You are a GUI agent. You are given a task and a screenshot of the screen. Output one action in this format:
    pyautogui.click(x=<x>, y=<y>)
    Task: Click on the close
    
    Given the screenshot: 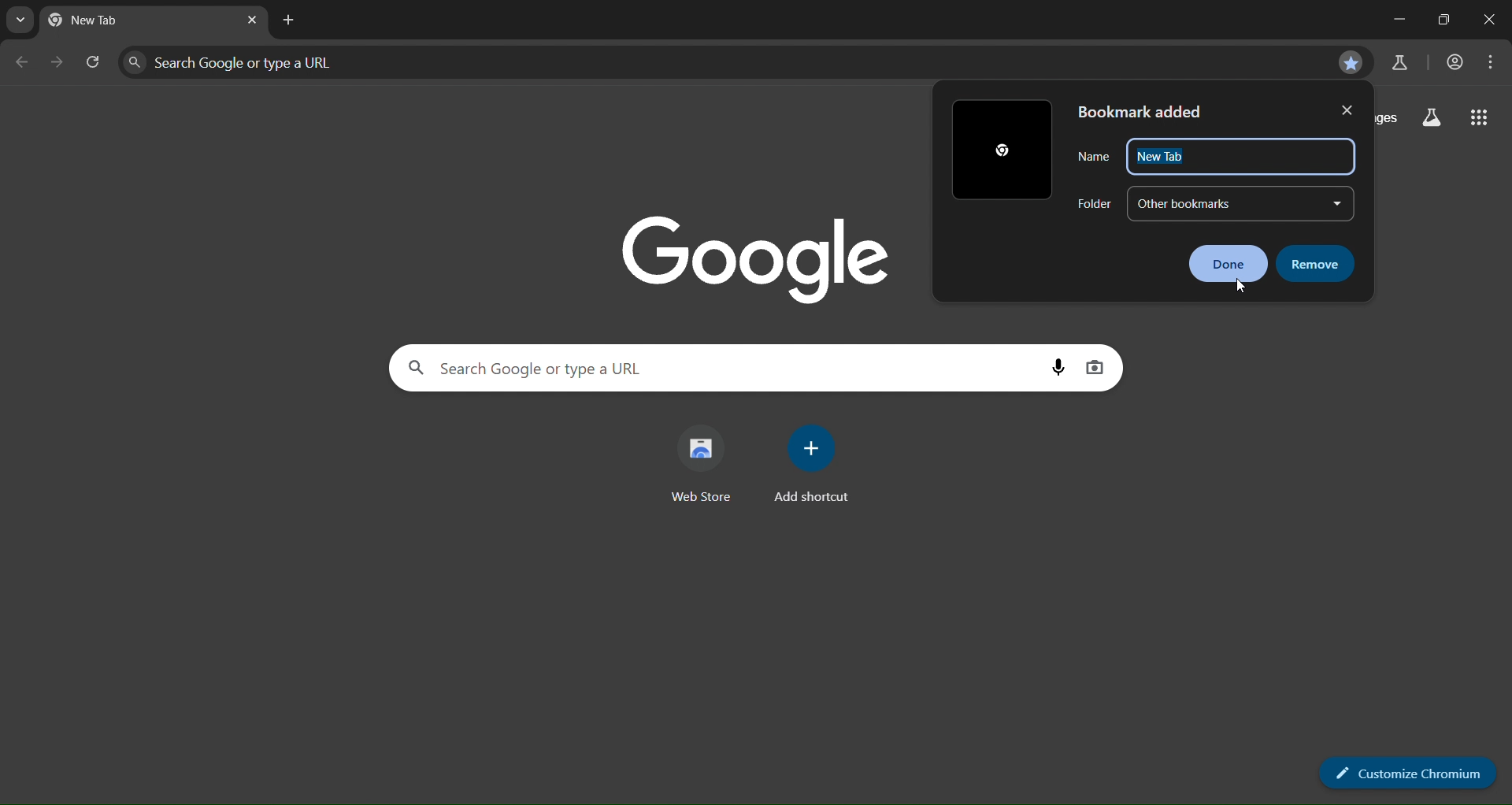 What is the action you would take?
    pyautogui.click(x=1351, y=110)
    